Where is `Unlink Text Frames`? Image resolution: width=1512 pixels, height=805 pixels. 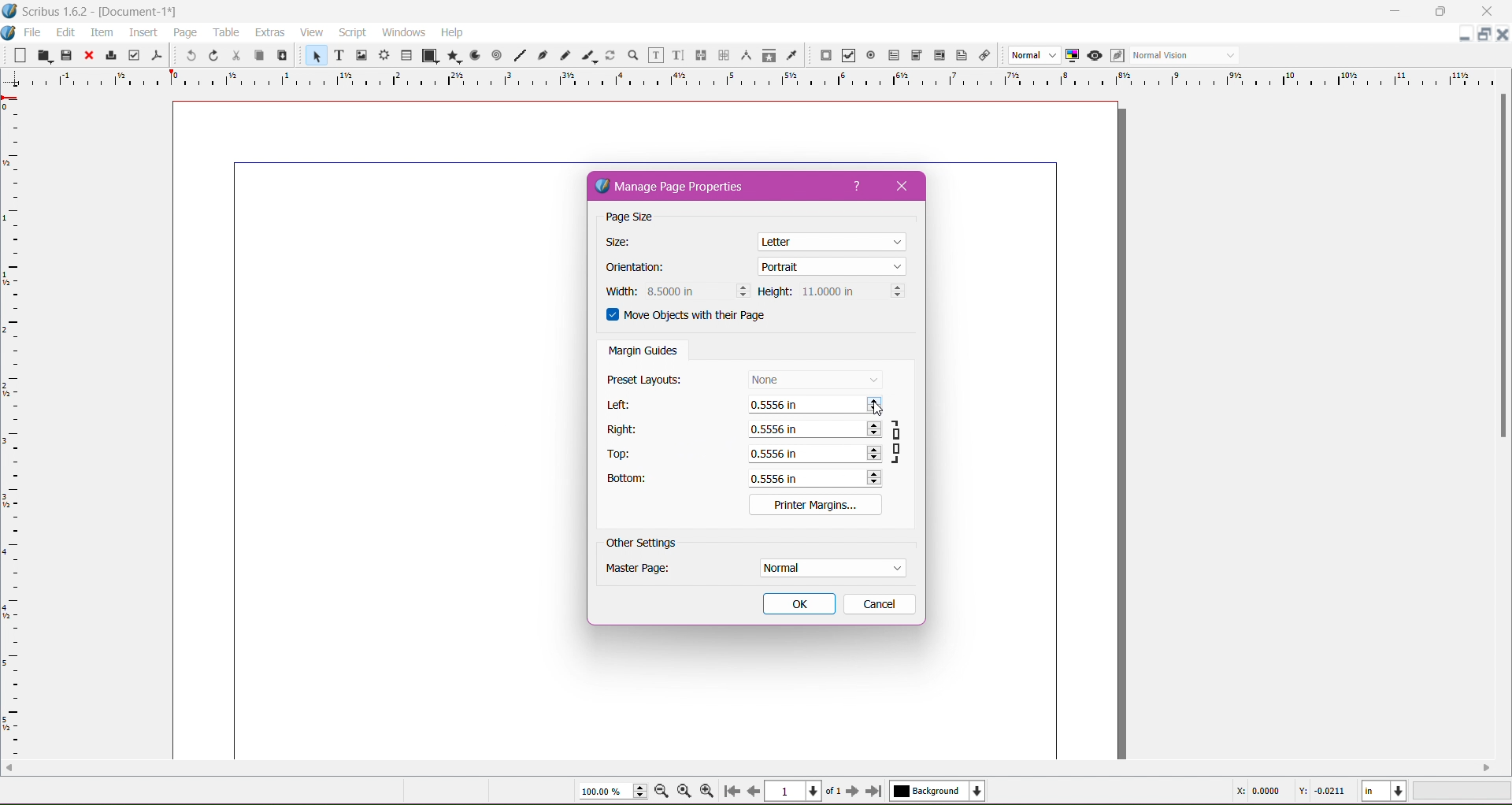 Unlink Text Frames is located at coordinates (723, 55).